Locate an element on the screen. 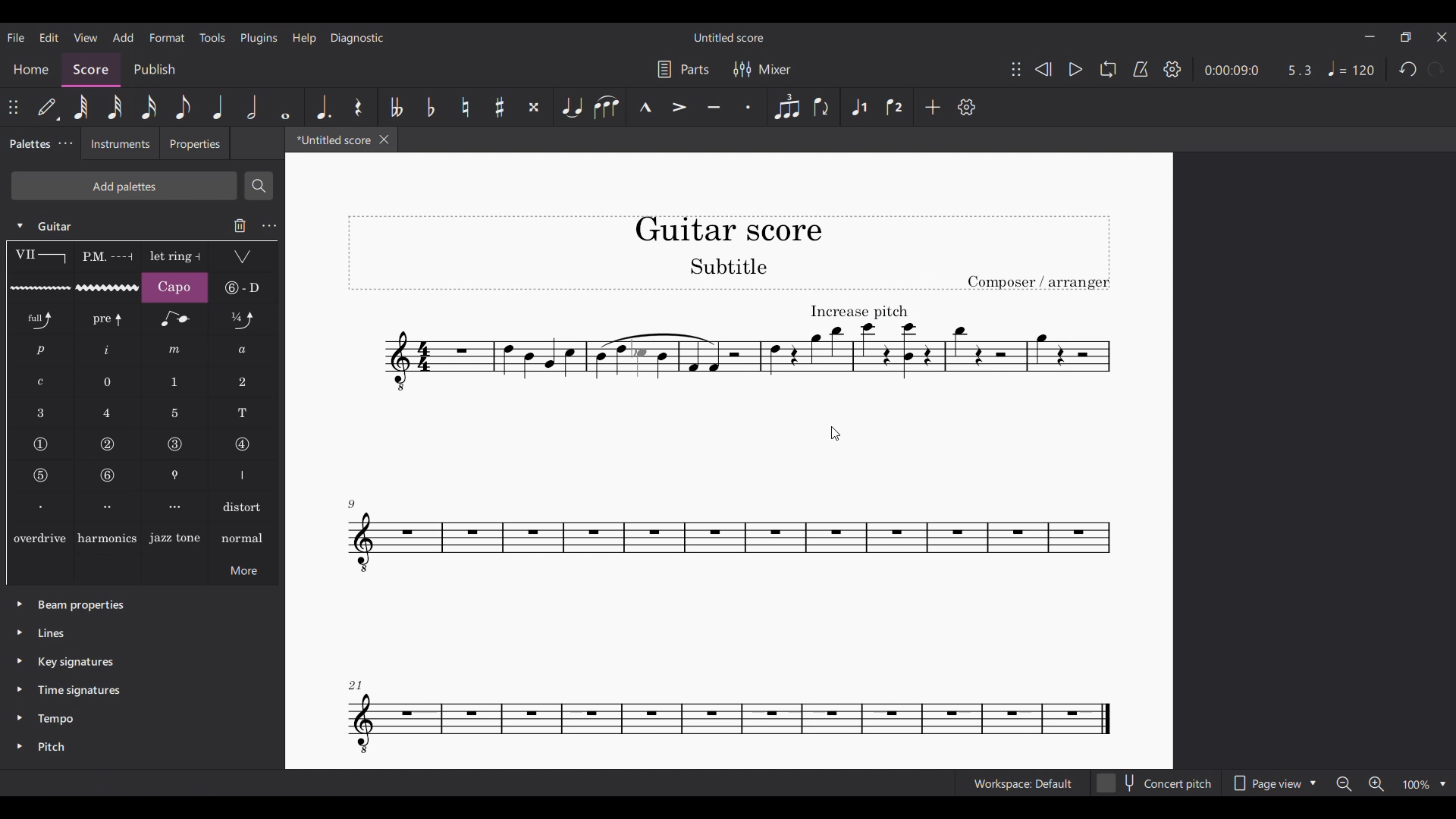  Settings is located at coordinates (967, 107).